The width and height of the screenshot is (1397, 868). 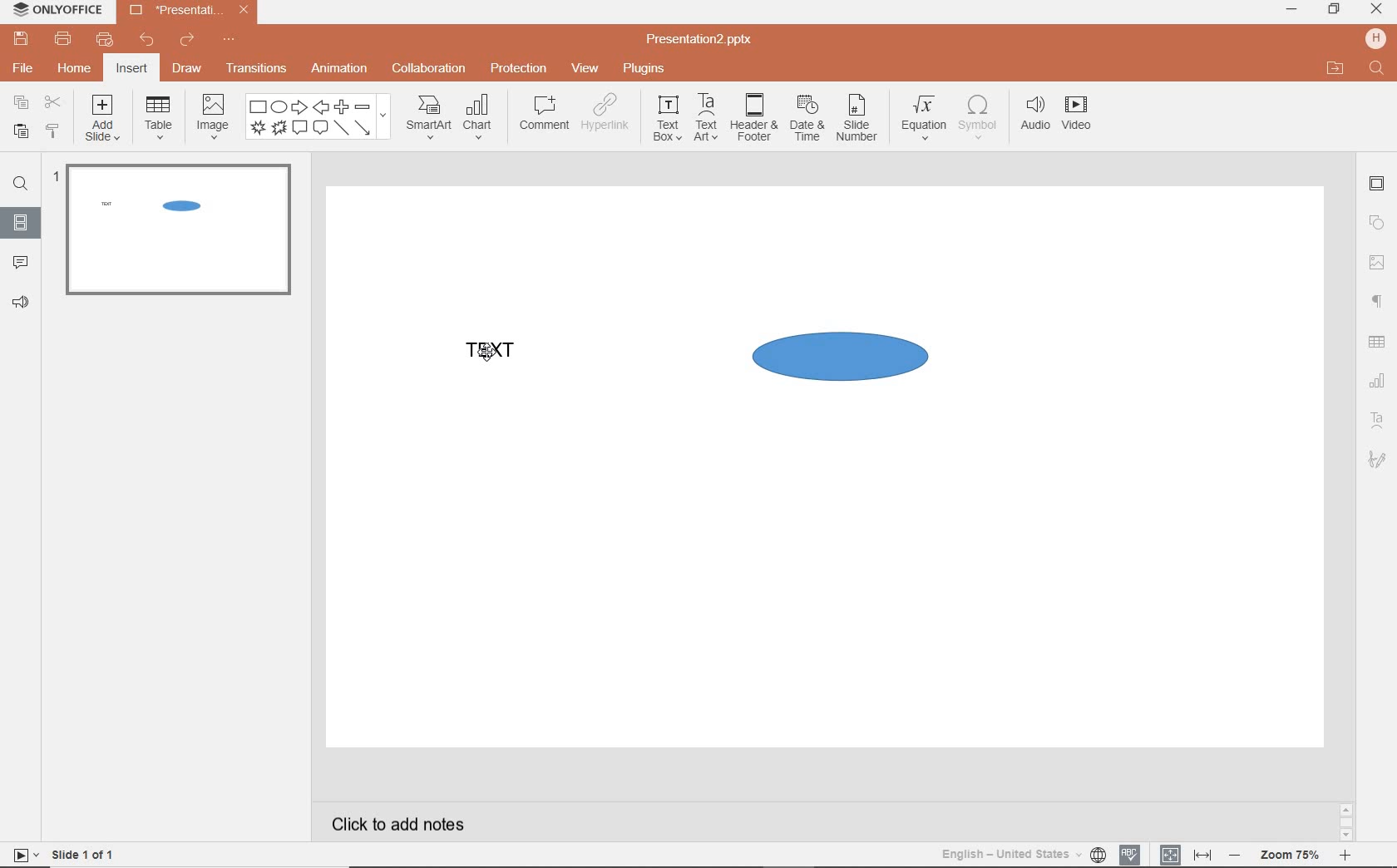 I want to click on TEXT ART, so click(x=1377, y=422).